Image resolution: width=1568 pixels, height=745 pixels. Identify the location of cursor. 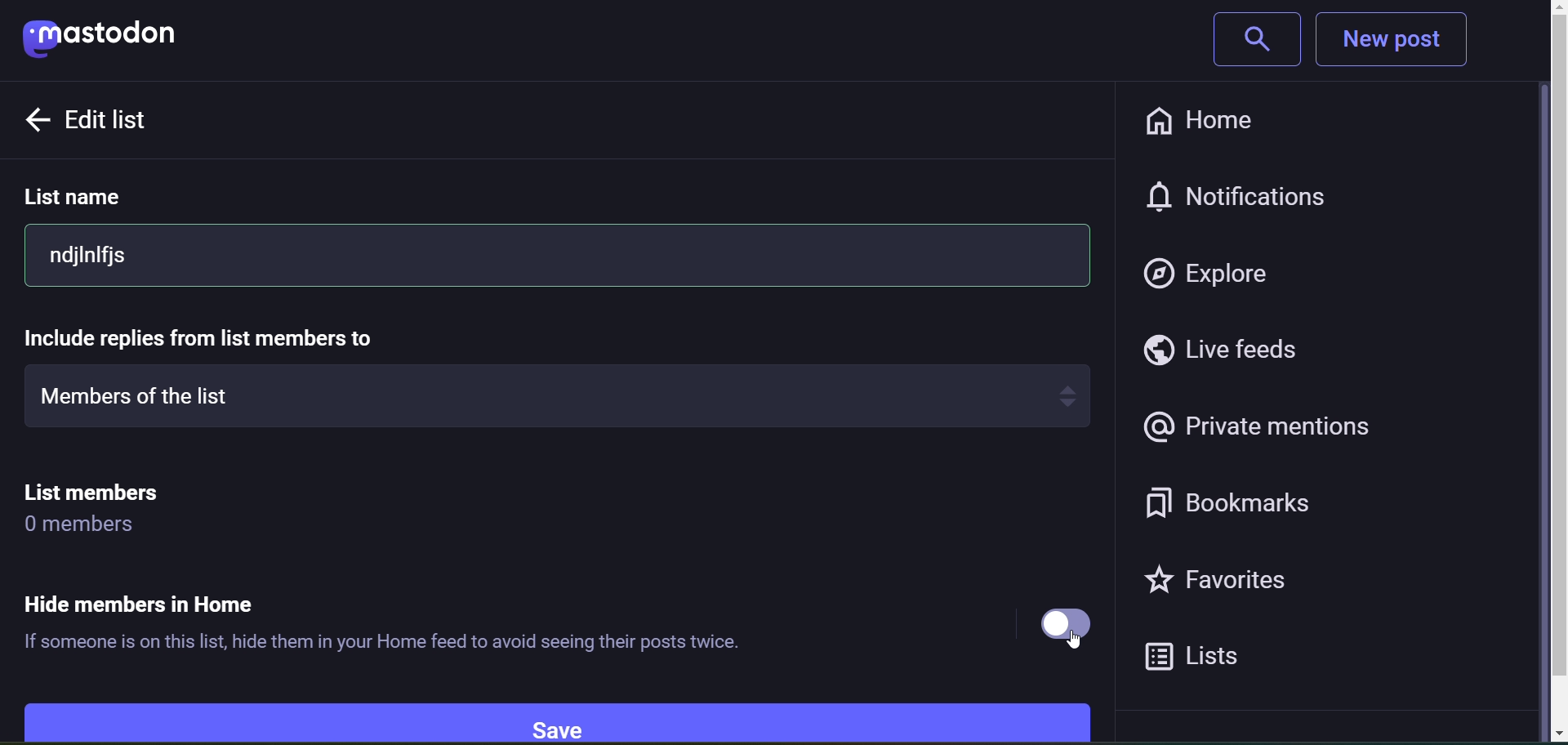
(1080, 649).